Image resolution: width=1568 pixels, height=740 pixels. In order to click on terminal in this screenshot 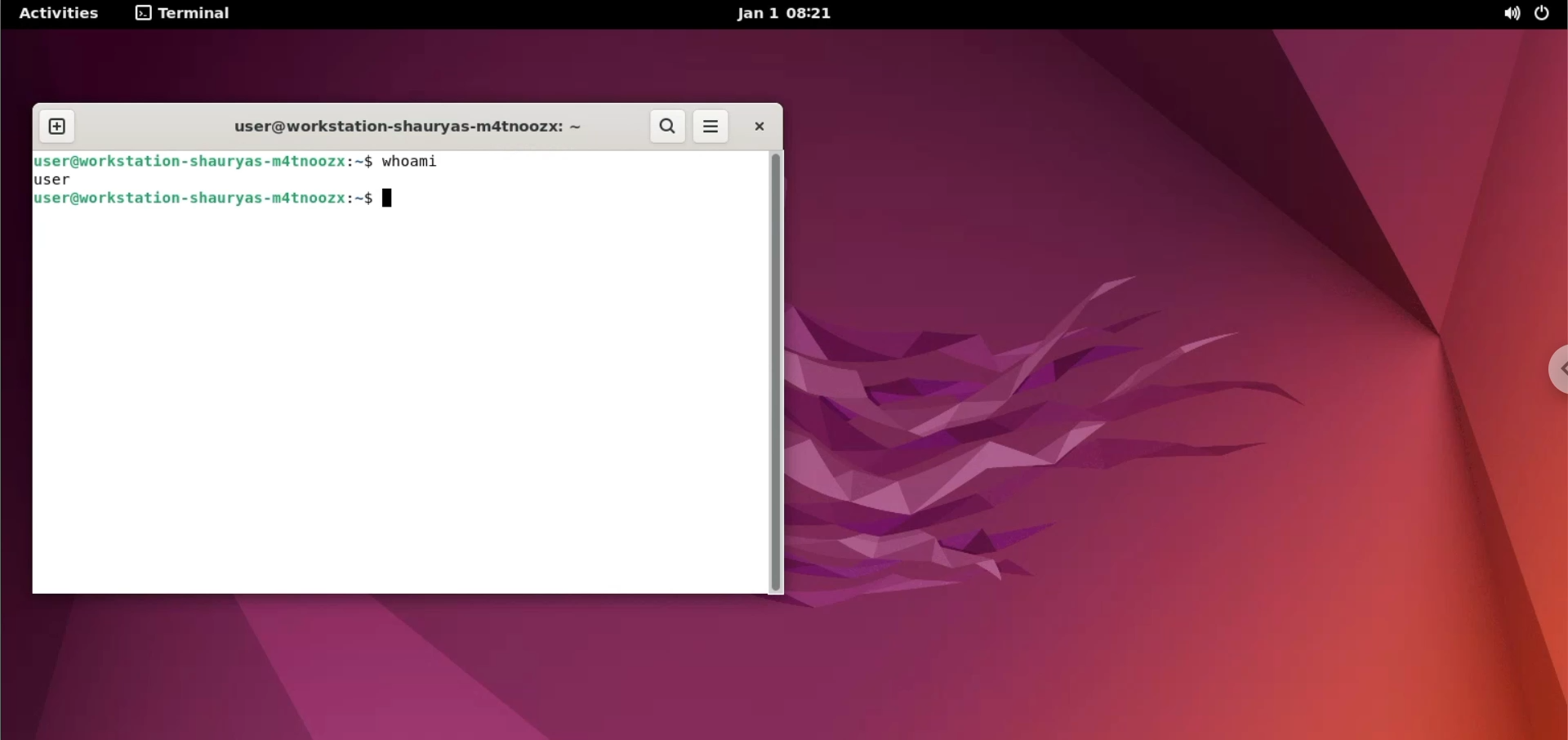, I will do `click(187, 15)`.